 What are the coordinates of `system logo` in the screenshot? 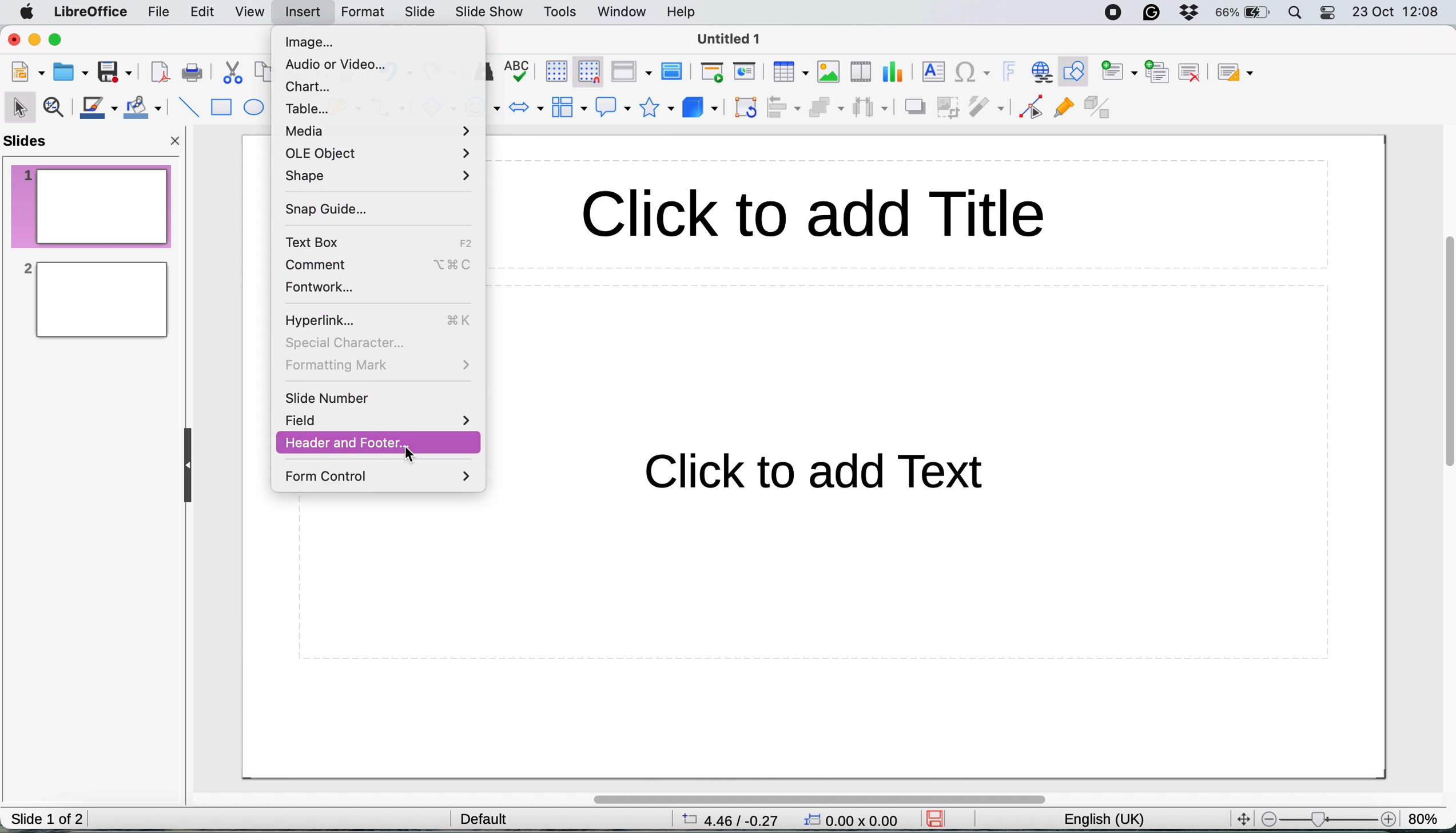 It's located at (29, 13).